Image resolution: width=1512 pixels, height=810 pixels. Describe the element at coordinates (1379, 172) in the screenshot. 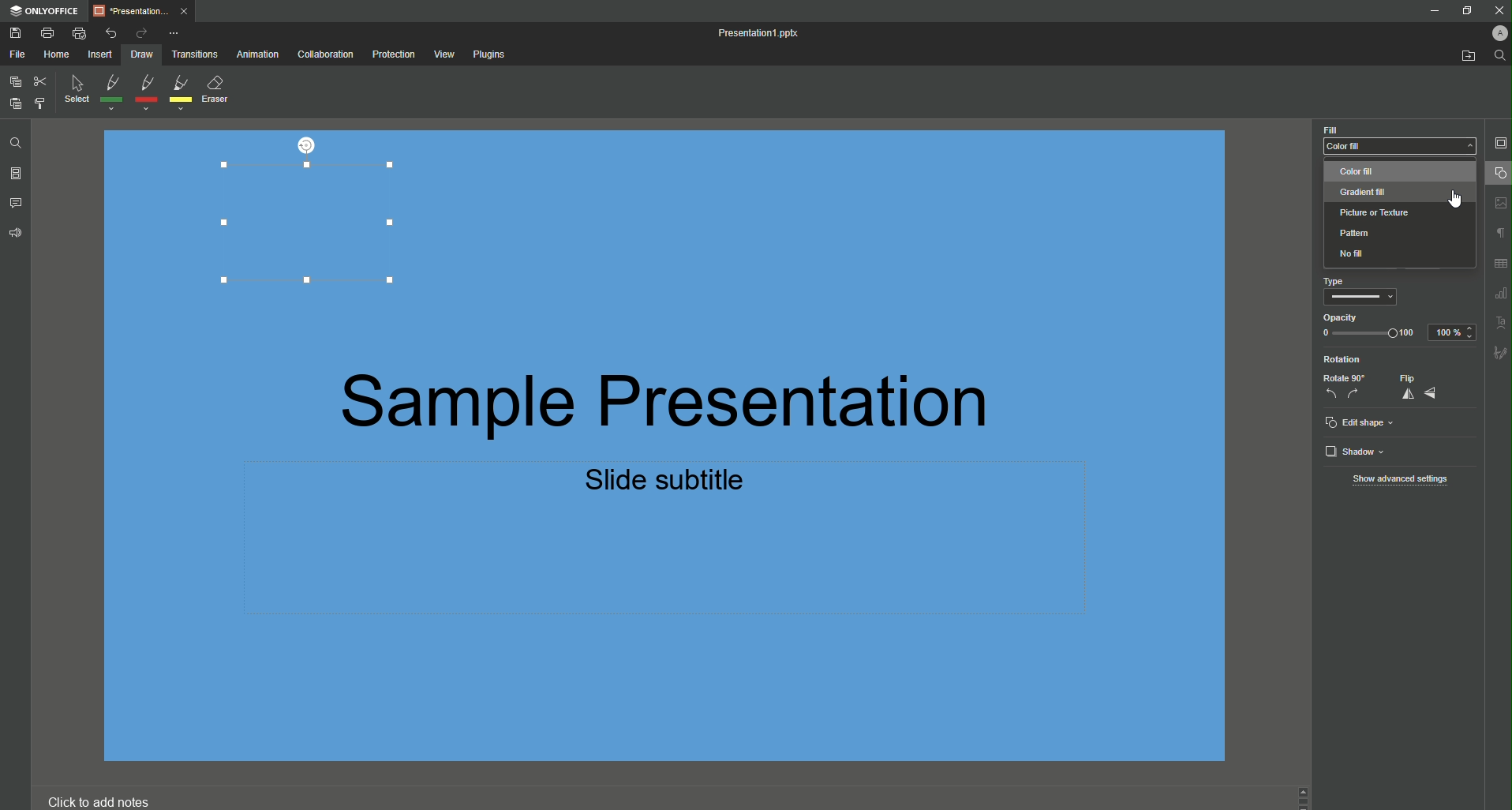

I see `Color Fill` at that location.